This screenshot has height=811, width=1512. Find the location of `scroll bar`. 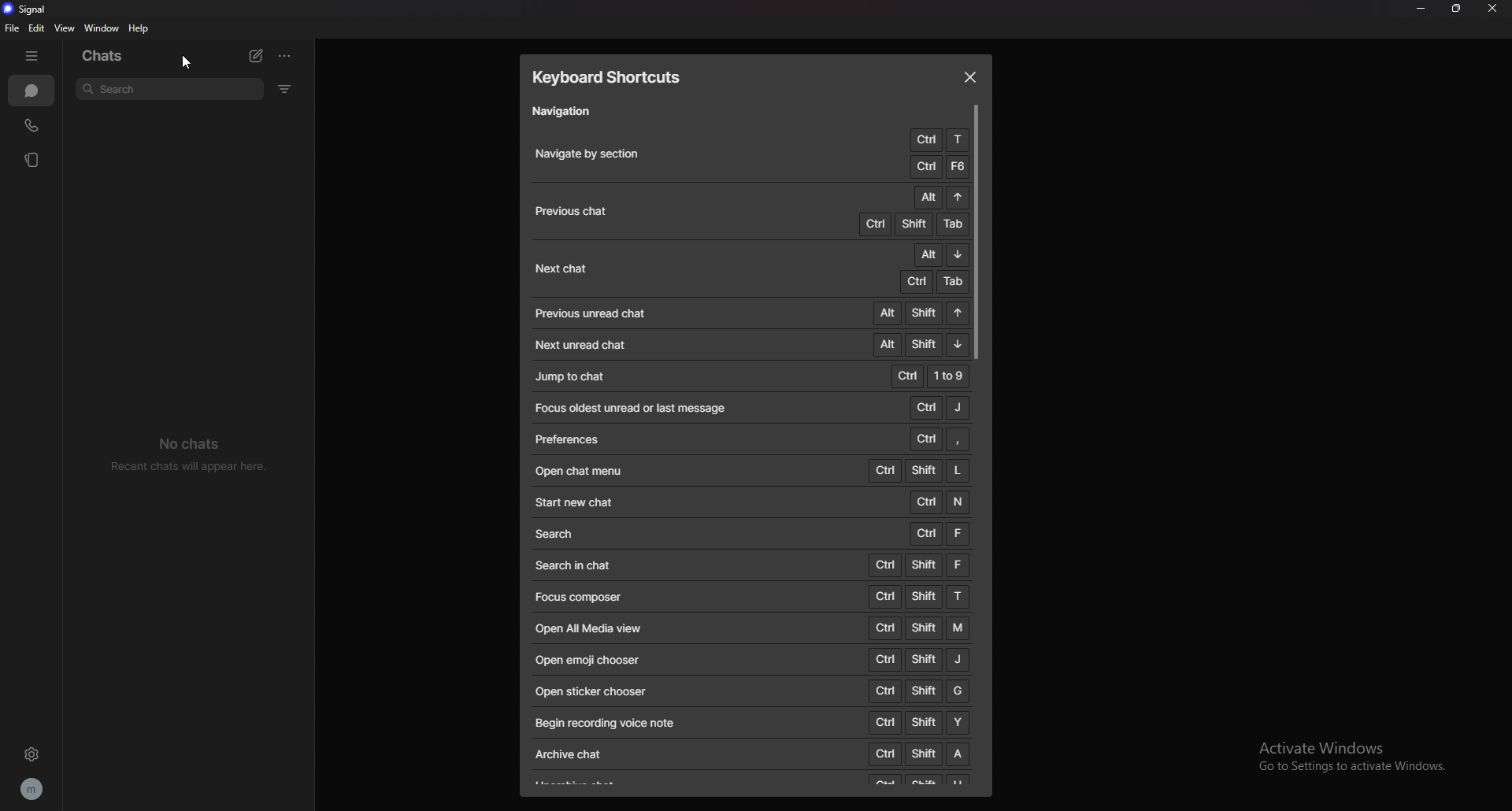

scroll bar is located at coordinates (978, 232).